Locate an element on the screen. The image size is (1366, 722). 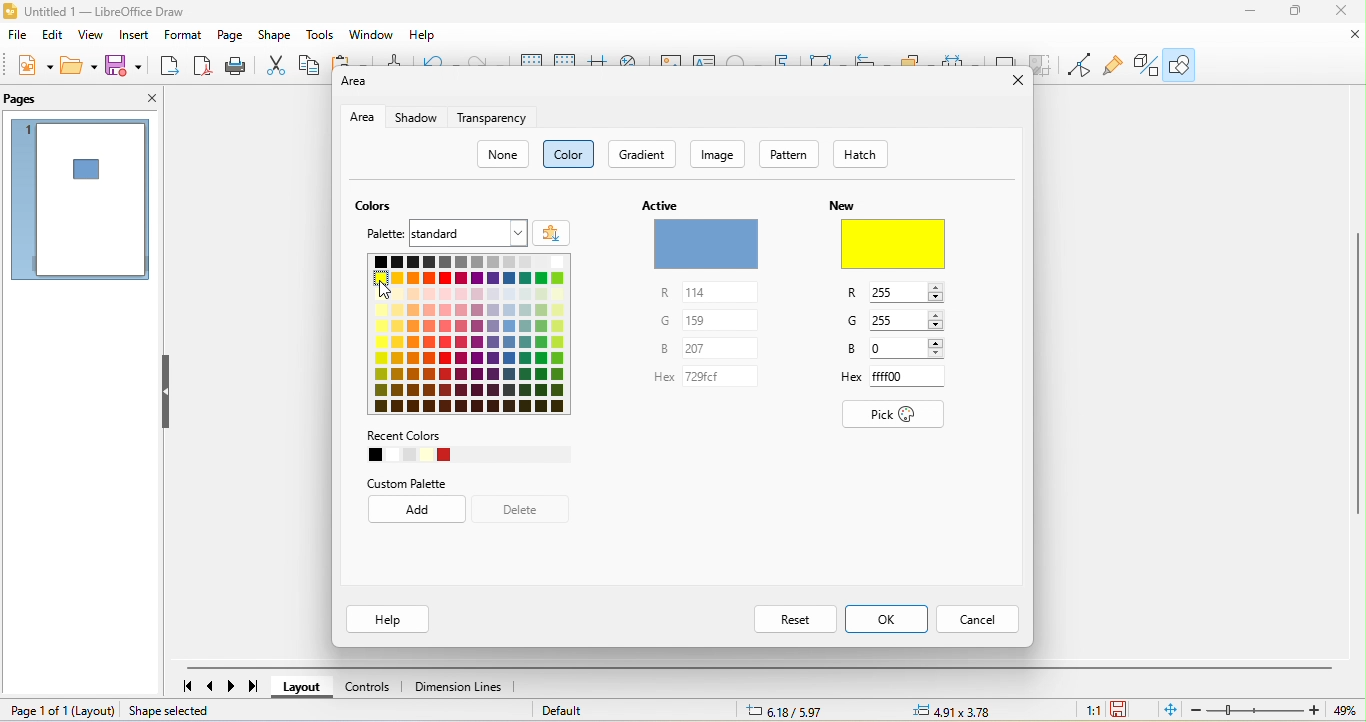
print is located at coordinates (240, 68).